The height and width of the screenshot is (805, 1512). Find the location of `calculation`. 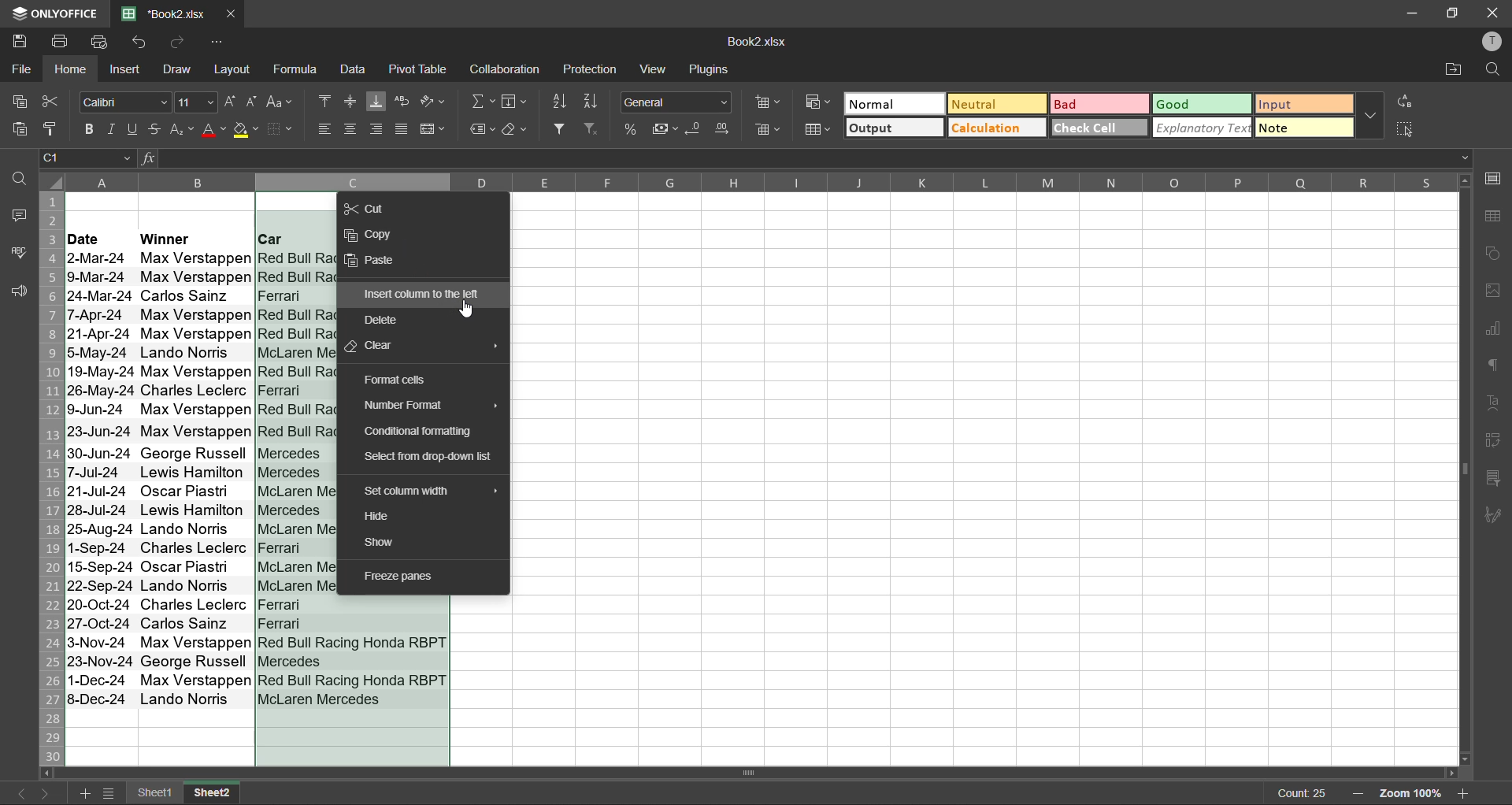

calculation is located at coordinates (995, 129).